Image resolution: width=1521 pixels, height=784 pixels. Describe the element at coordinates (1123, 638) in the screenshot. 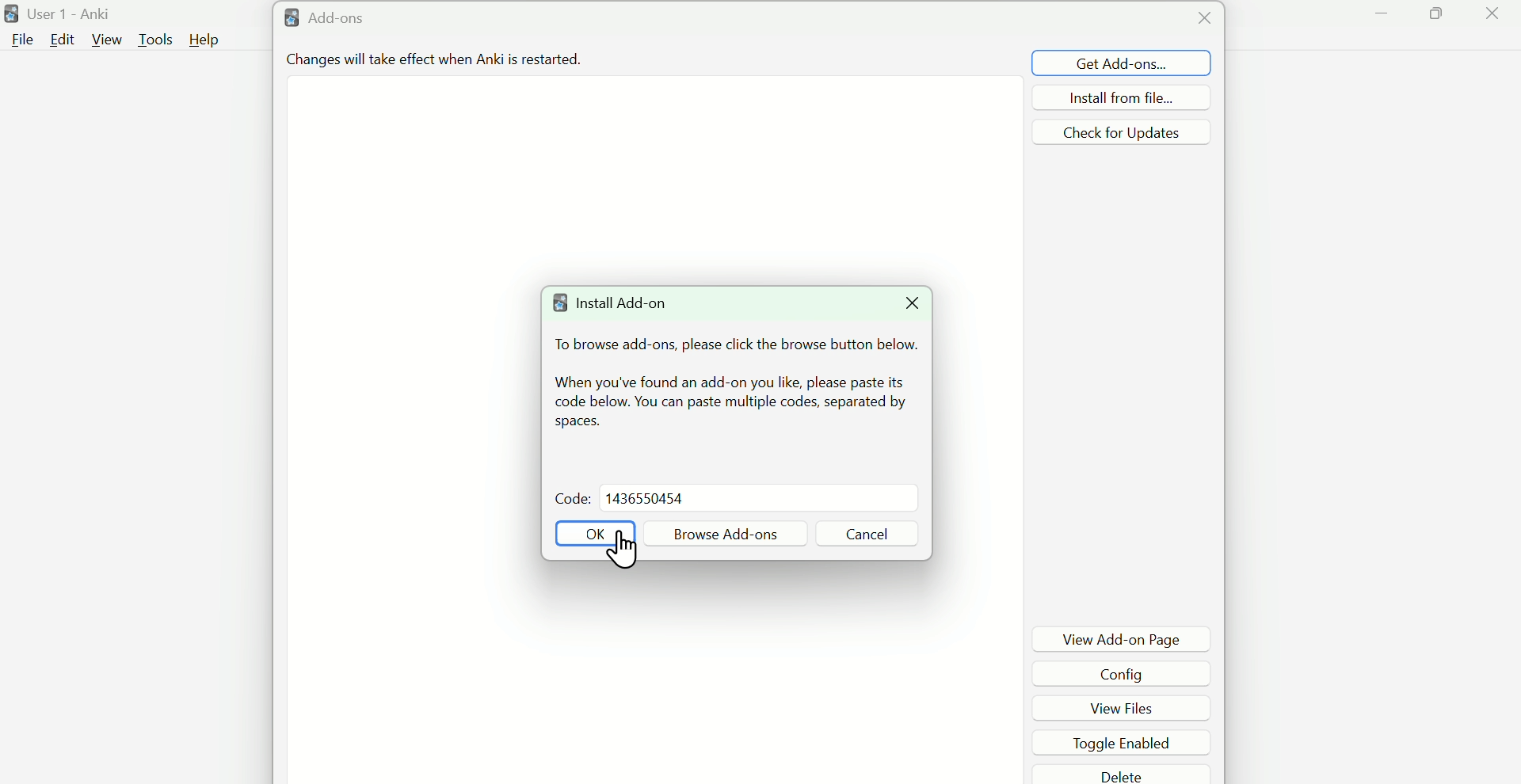

I see `View Add-on Page` at that location.